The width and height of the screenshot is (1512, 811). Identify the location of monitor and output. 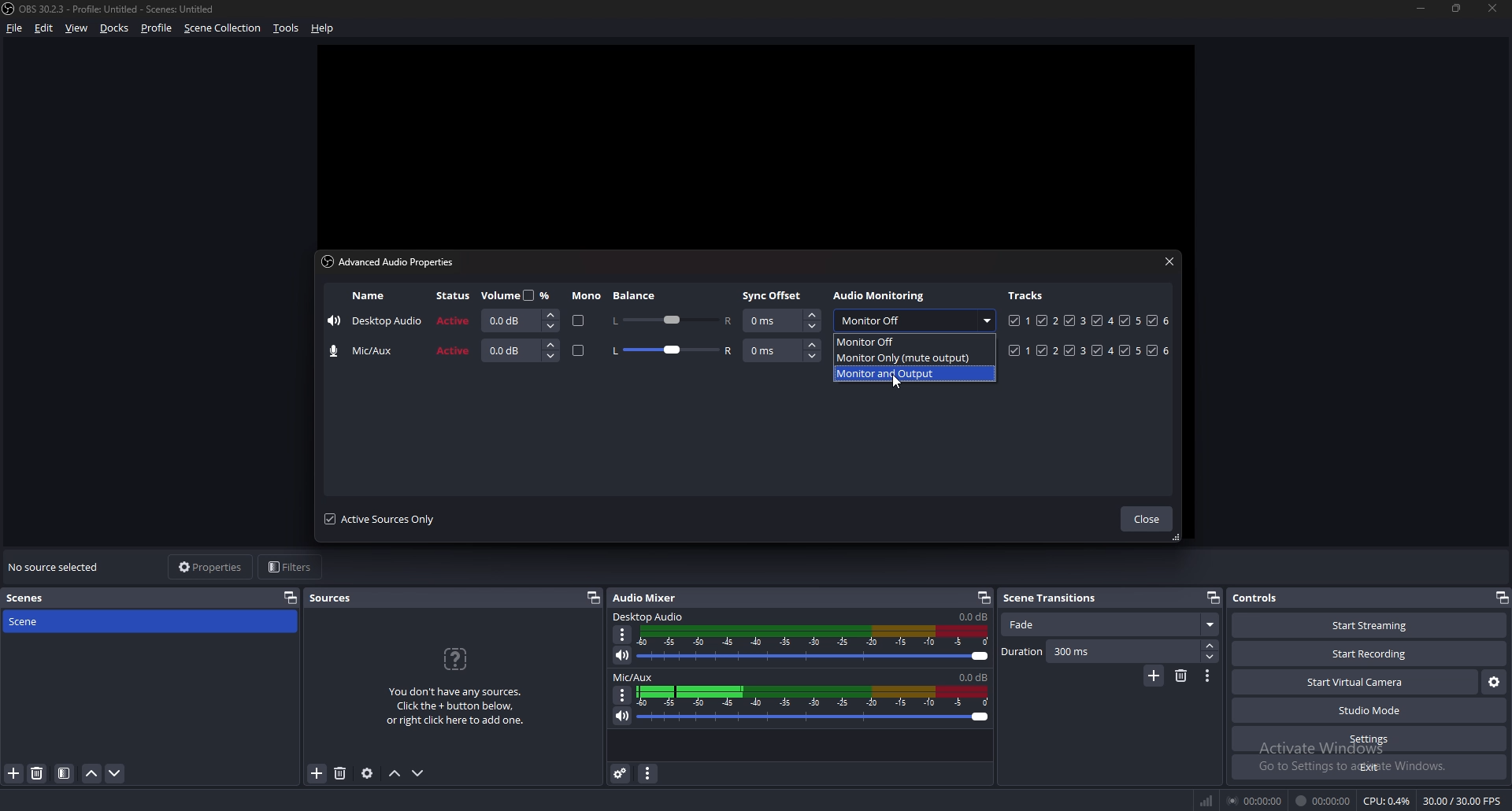
(913, 373).